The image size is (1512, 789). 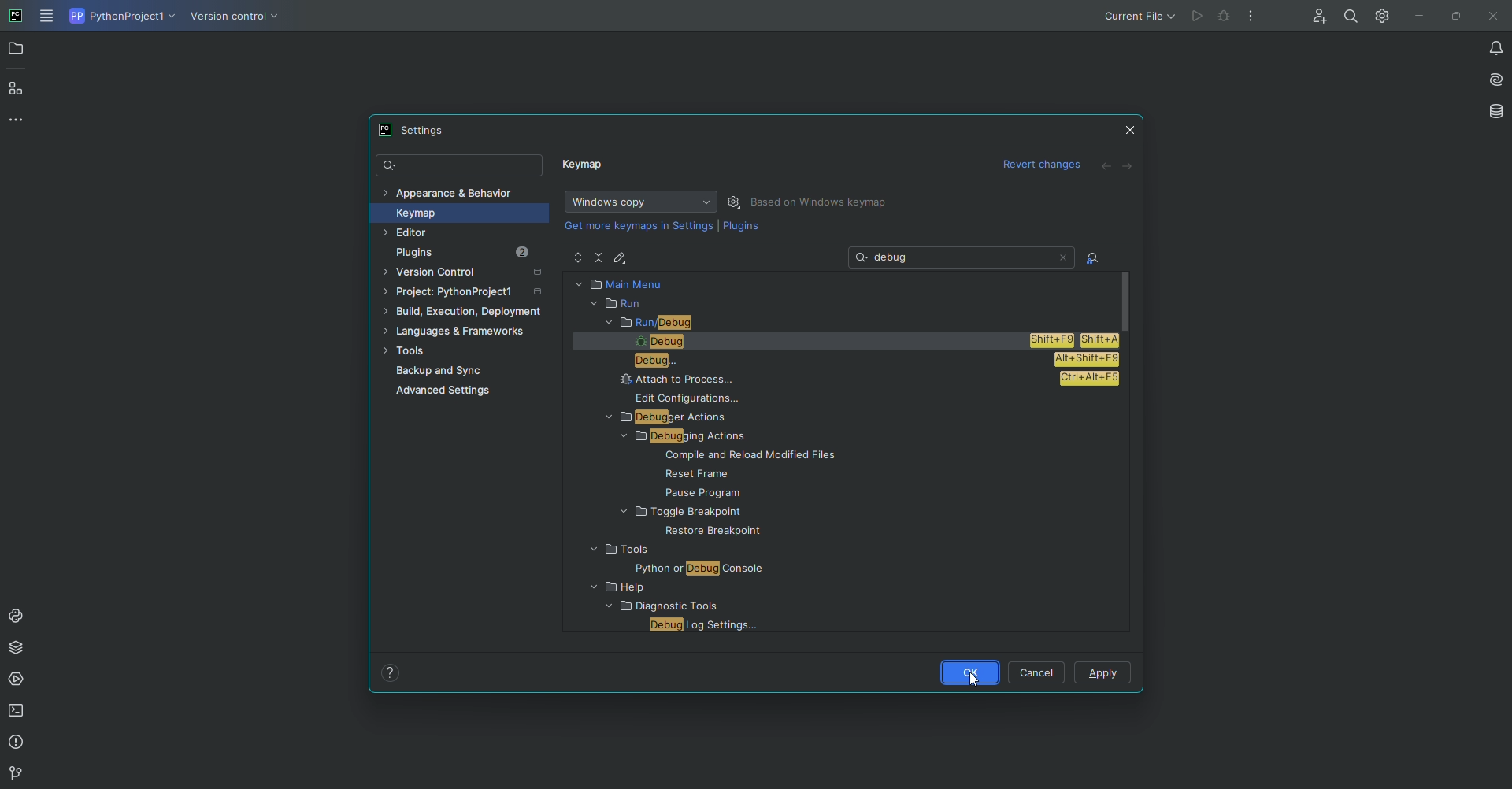 I want to click on Edit, so click(x=623, y=257).